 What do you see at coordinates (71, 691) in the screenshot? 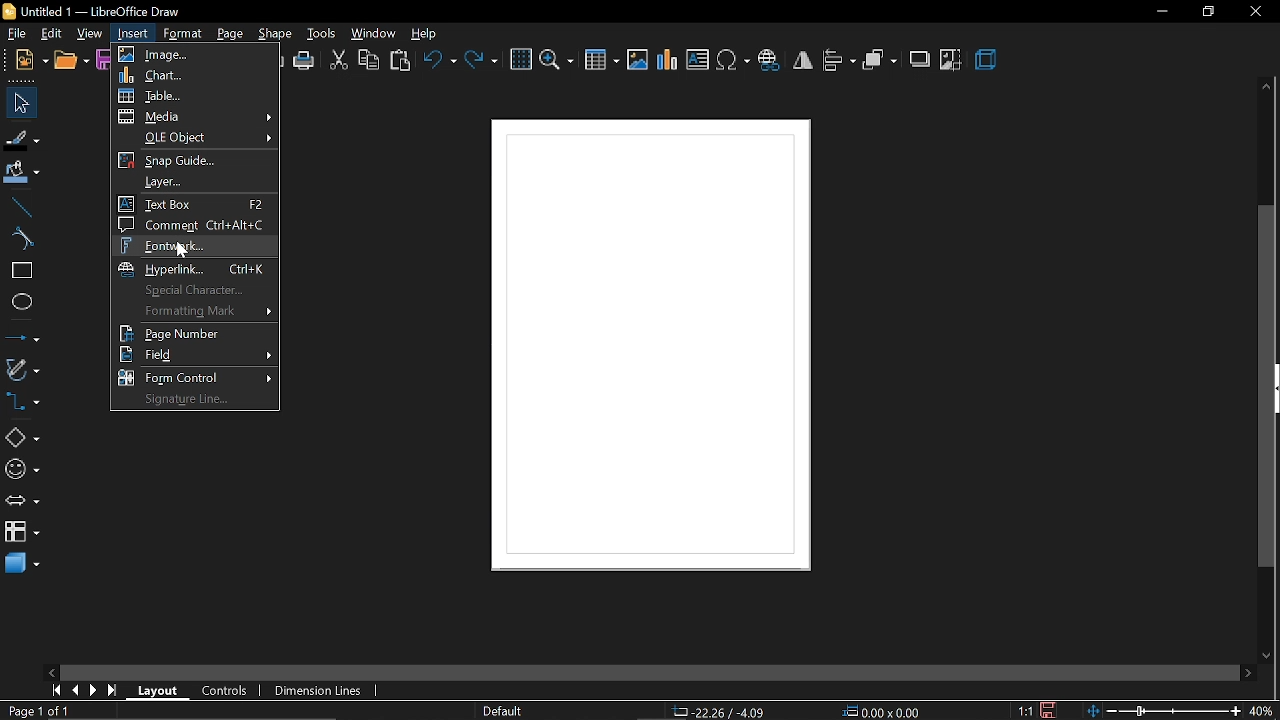
I see `previous page` at bounding box center [71, 691].